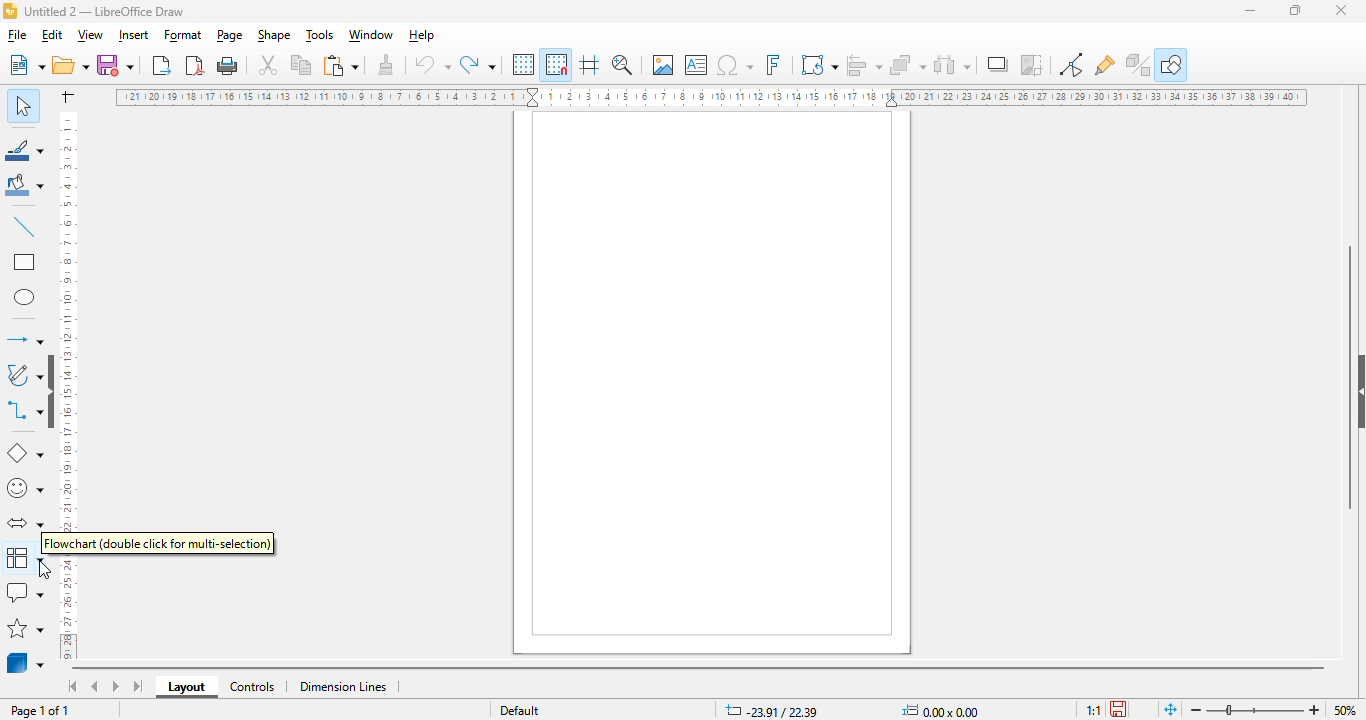 The image size is (1366, 720). Describe the element at coordinates (25, 227) in the screenshot. I see `insert line` at that location.